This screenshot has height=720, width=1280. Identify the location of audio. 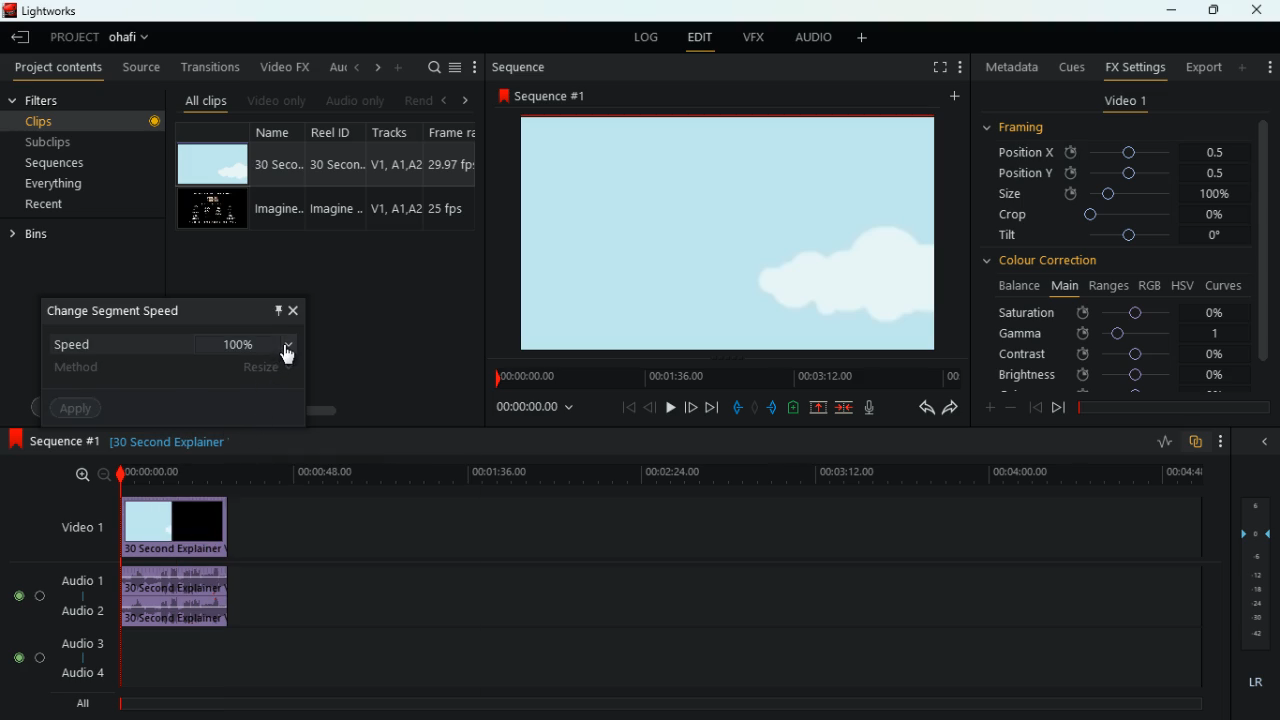
(810, 38).